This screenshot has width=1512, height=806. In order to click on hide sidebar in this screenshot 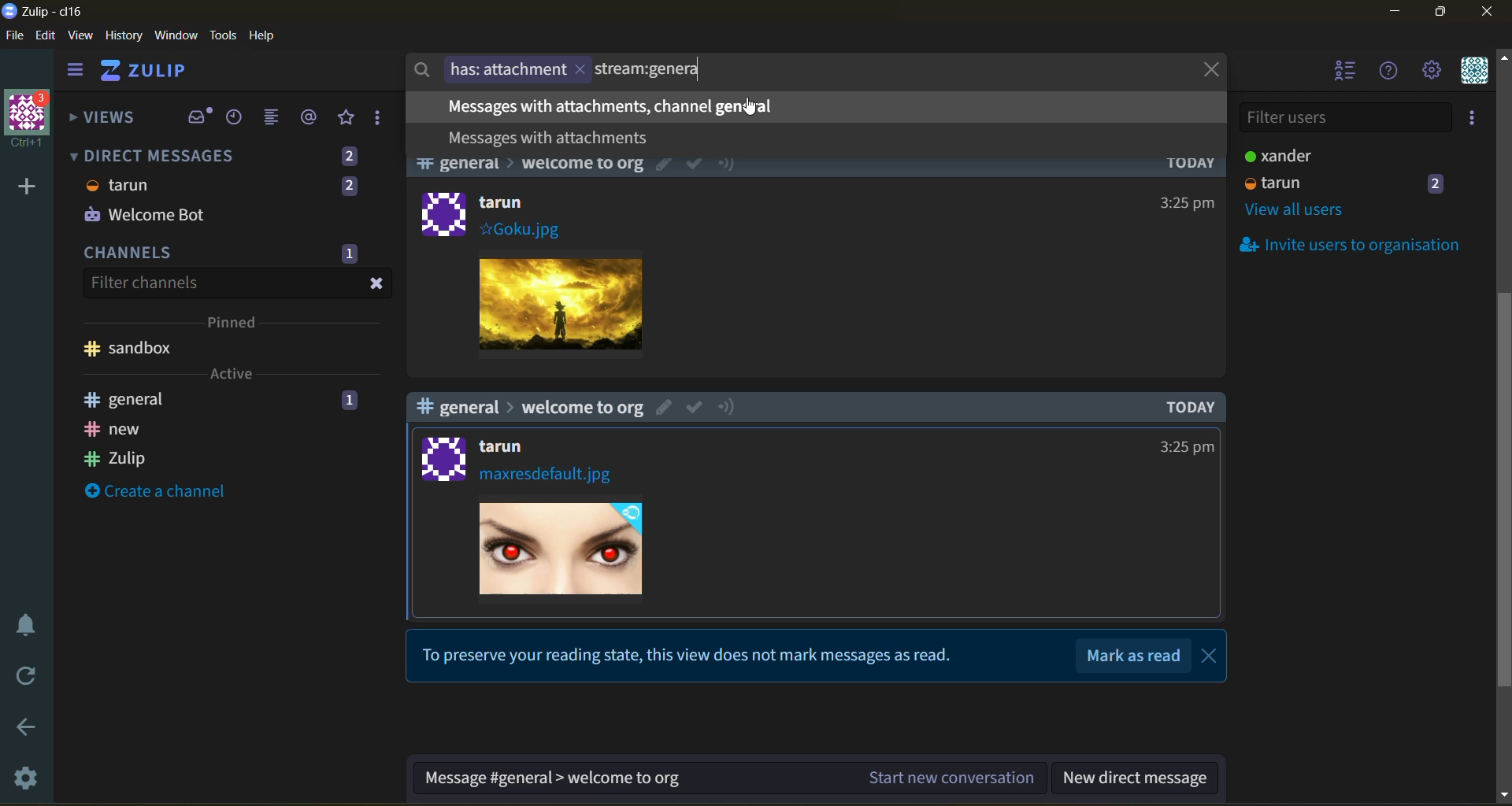, I will do `click(76, 72)`.